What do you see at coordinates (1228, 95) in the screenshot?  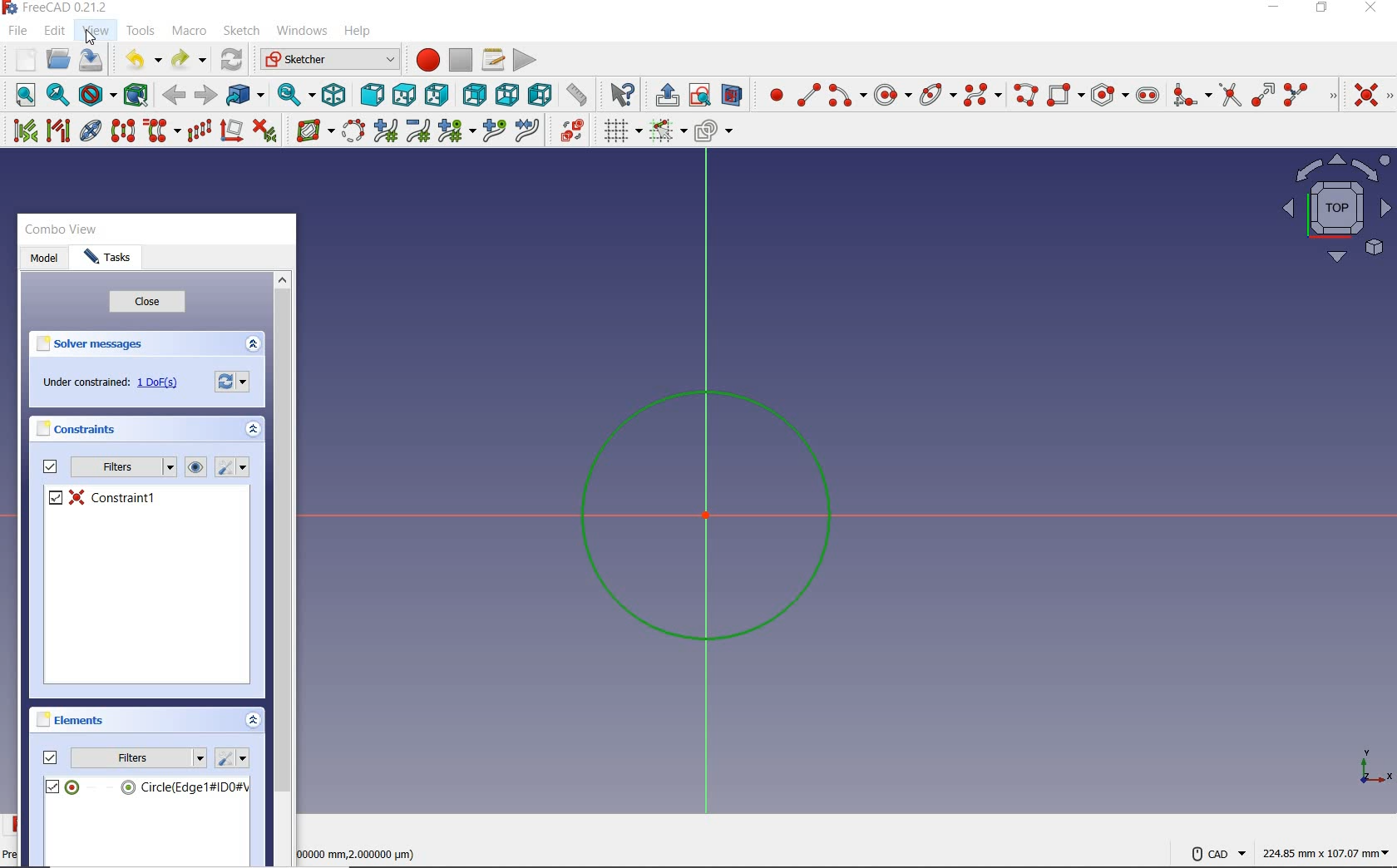 I see `trim edge` at bounding box center [1228, 95].